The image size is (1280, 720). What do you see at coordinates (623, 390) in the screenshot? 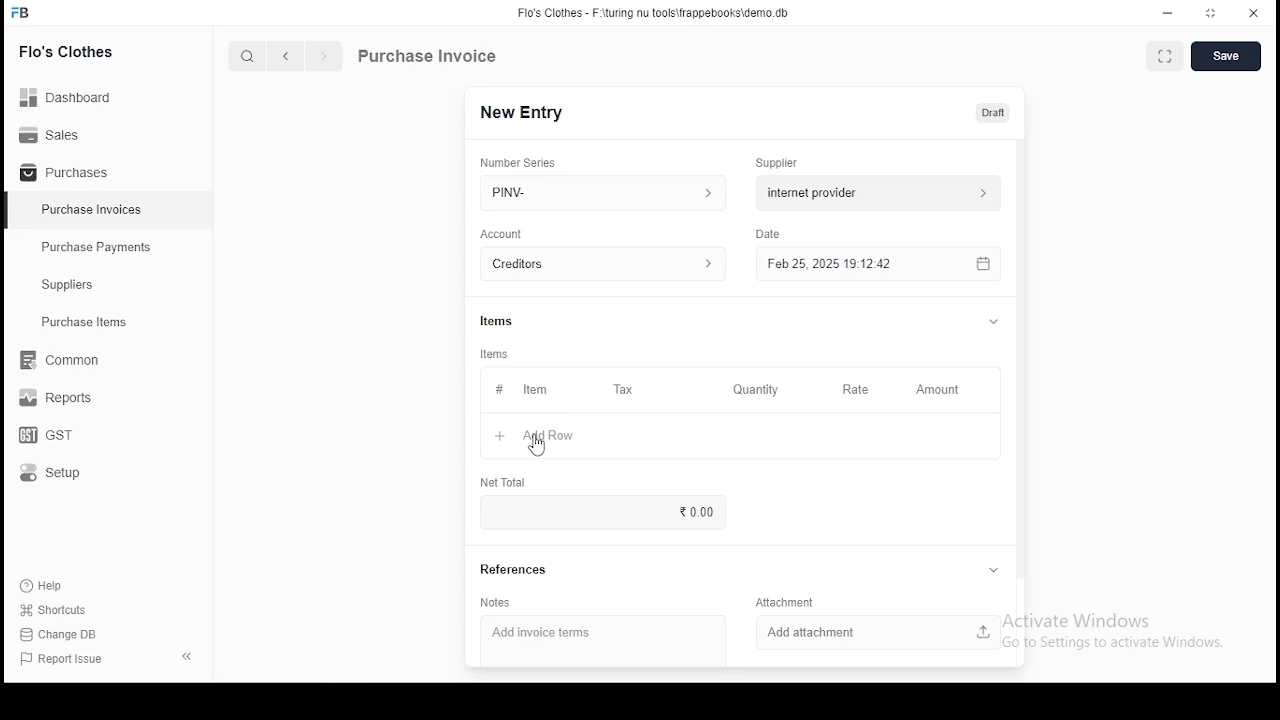
I see `tax` at bounding box center [623, 390].